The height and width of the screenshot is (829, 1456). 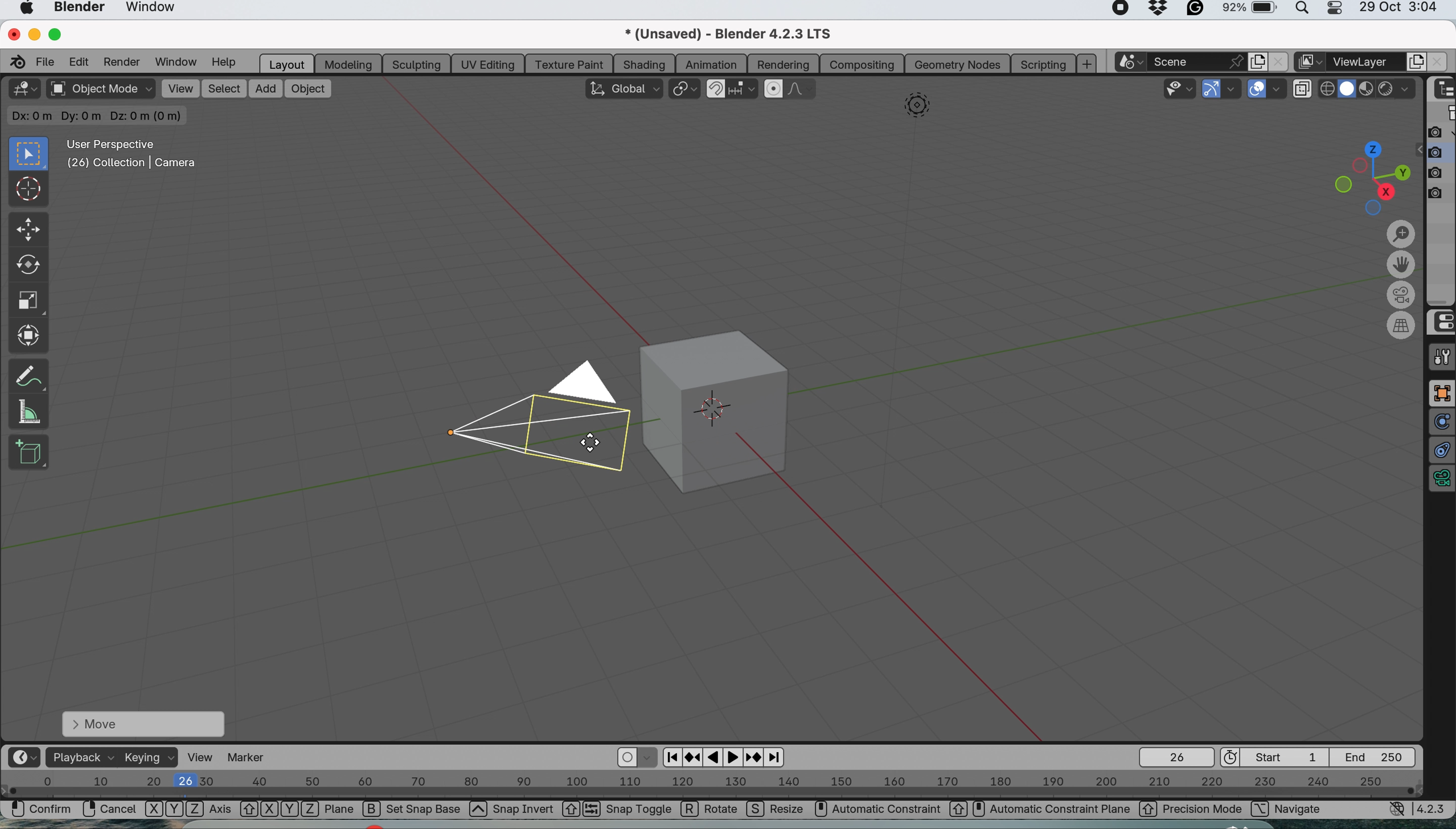 What do you see at coordinates (1307, 63) in the screenshot?
I see `active workspace` at bounding box center [1307, 63].